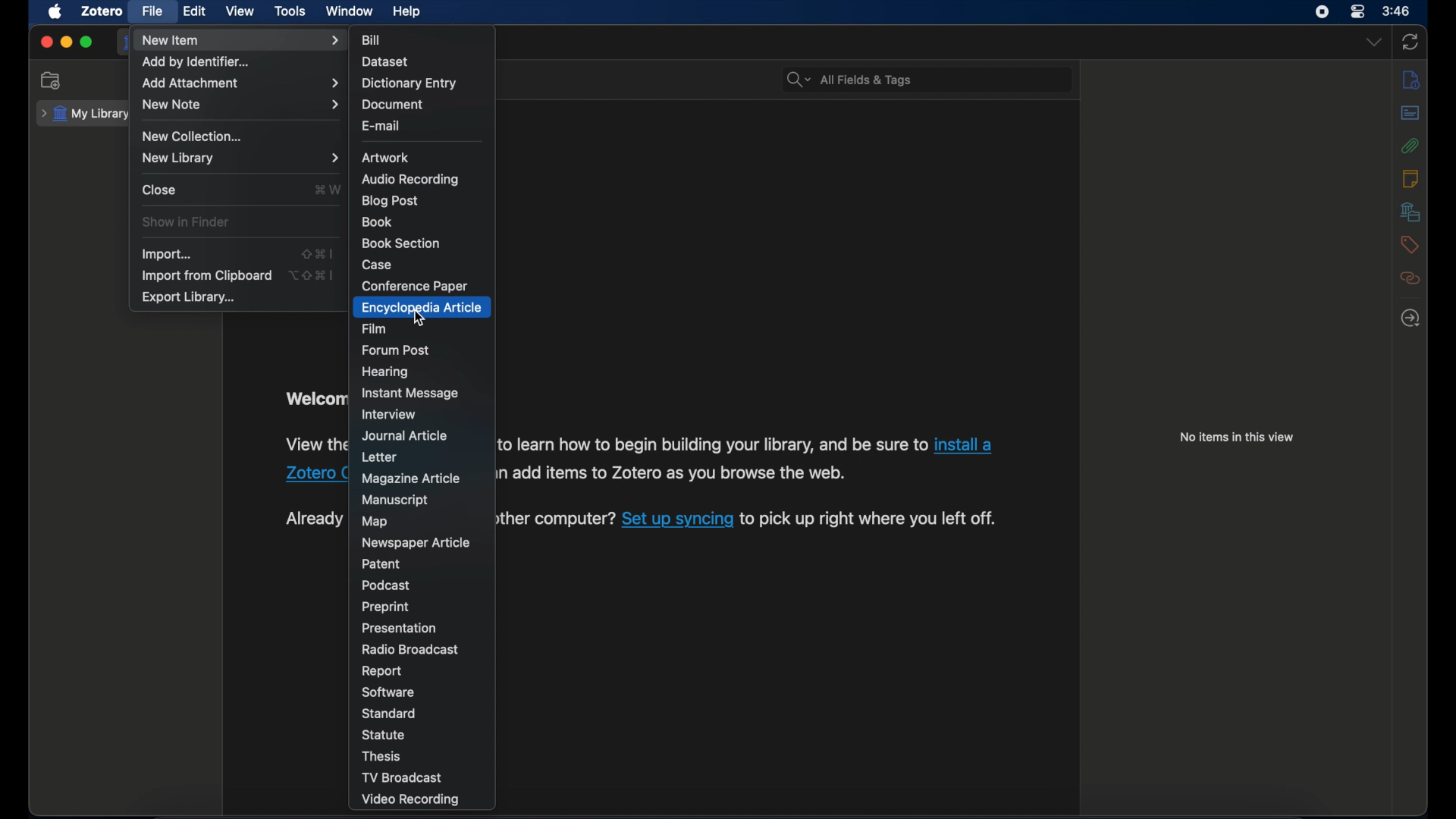 The width and height of the screenshot is (1456, 819). I want to click on help, so click(408, 11).